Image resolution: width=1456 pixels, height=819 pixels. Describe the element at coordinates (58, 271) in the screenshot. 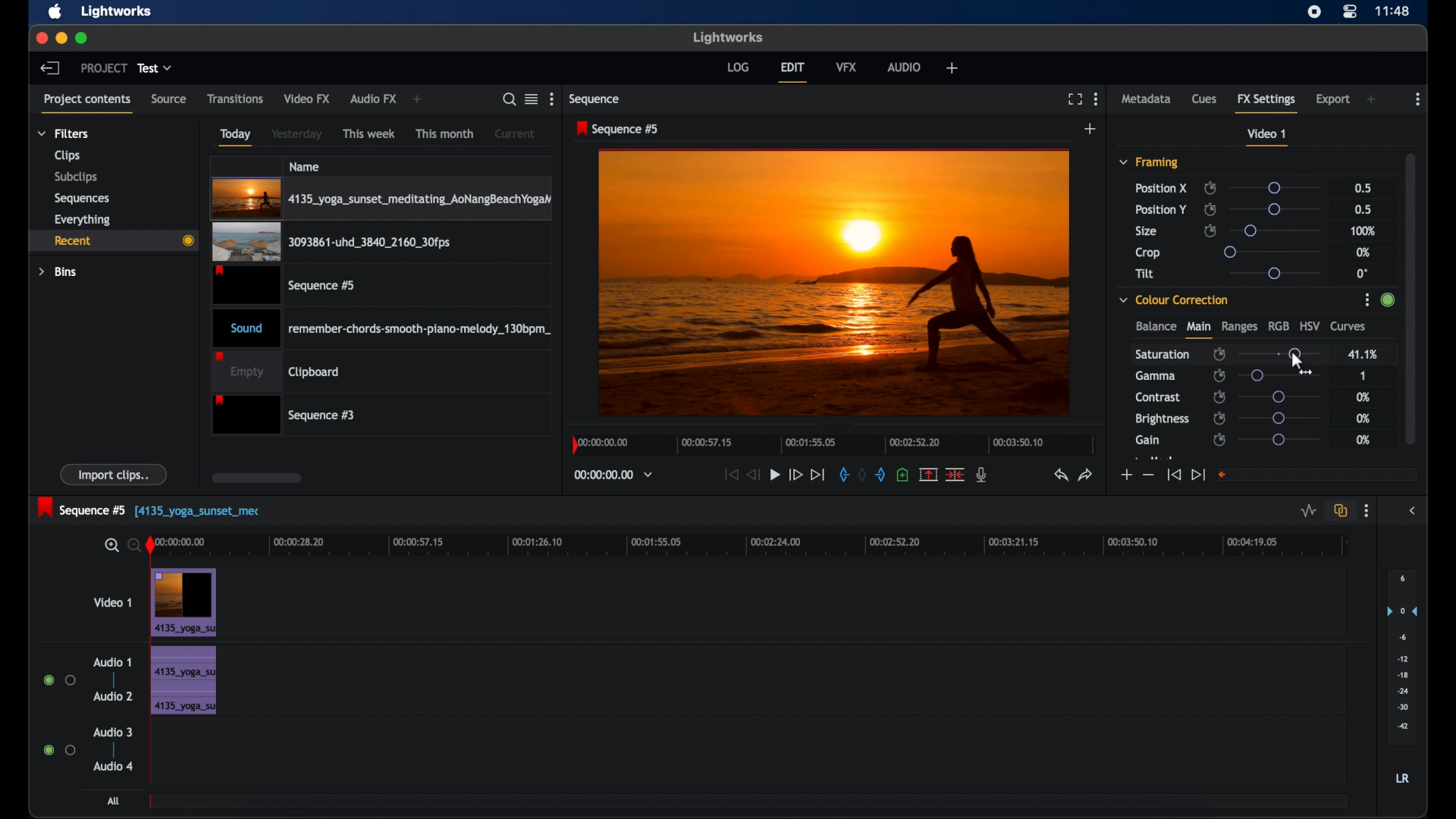

I see `bins` at that location.